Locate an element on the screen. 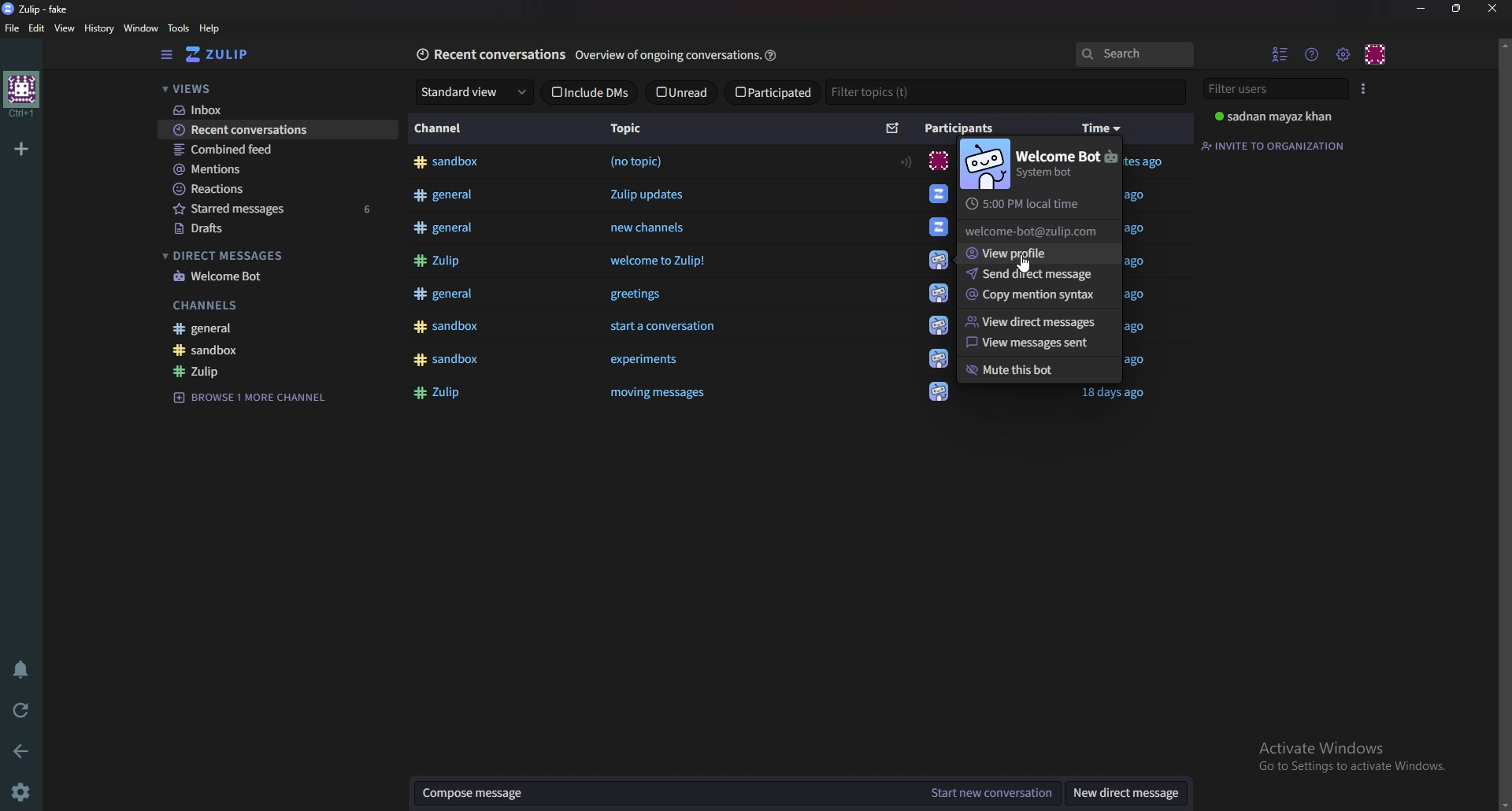  Include dms is located at coordinates (590, 92).